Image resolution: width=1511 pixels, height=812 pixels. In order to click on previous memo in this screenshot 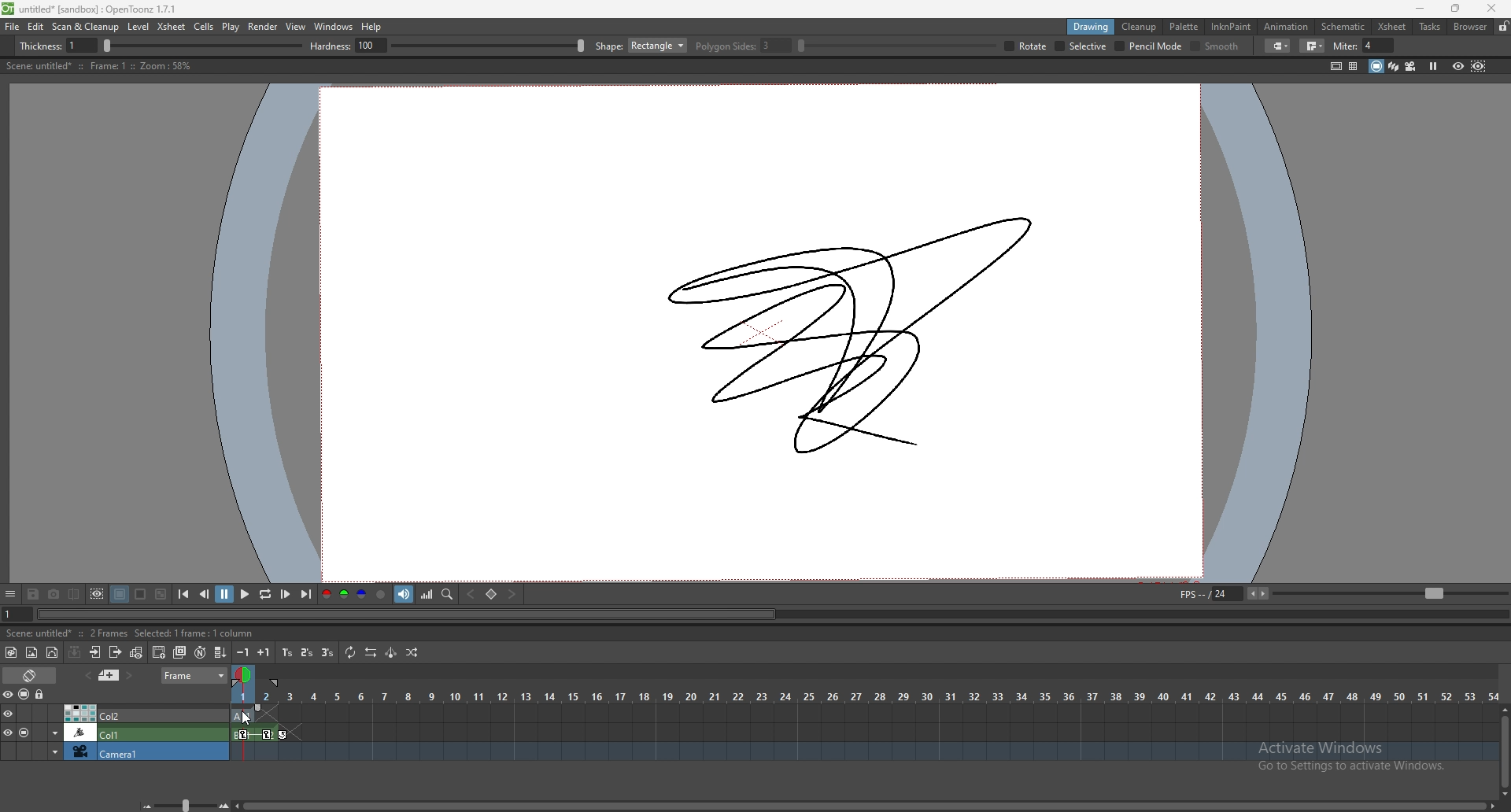, I will do `click(86, 675)`.